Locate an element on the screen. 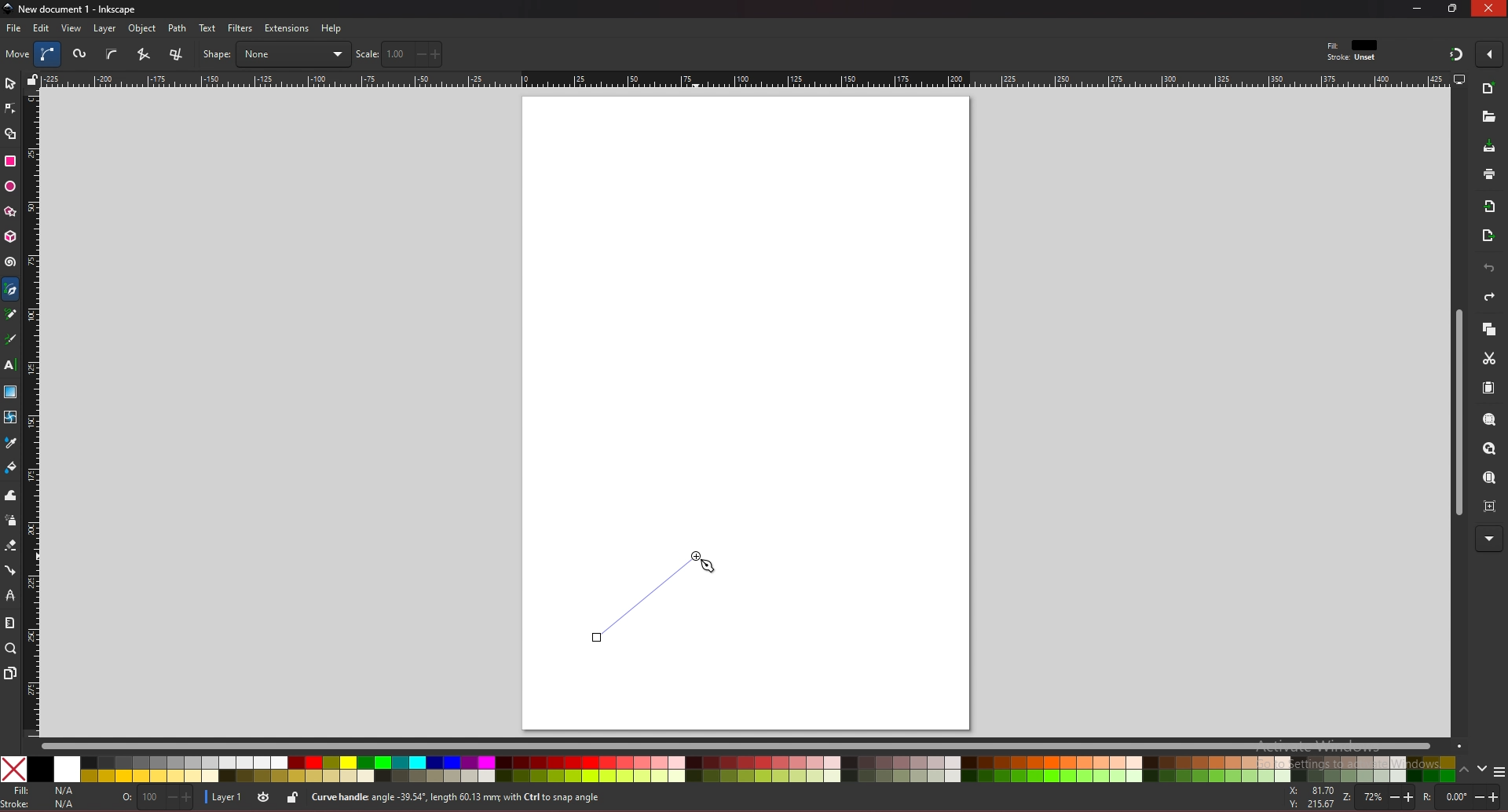  save is located at coordinates (1490, 148).